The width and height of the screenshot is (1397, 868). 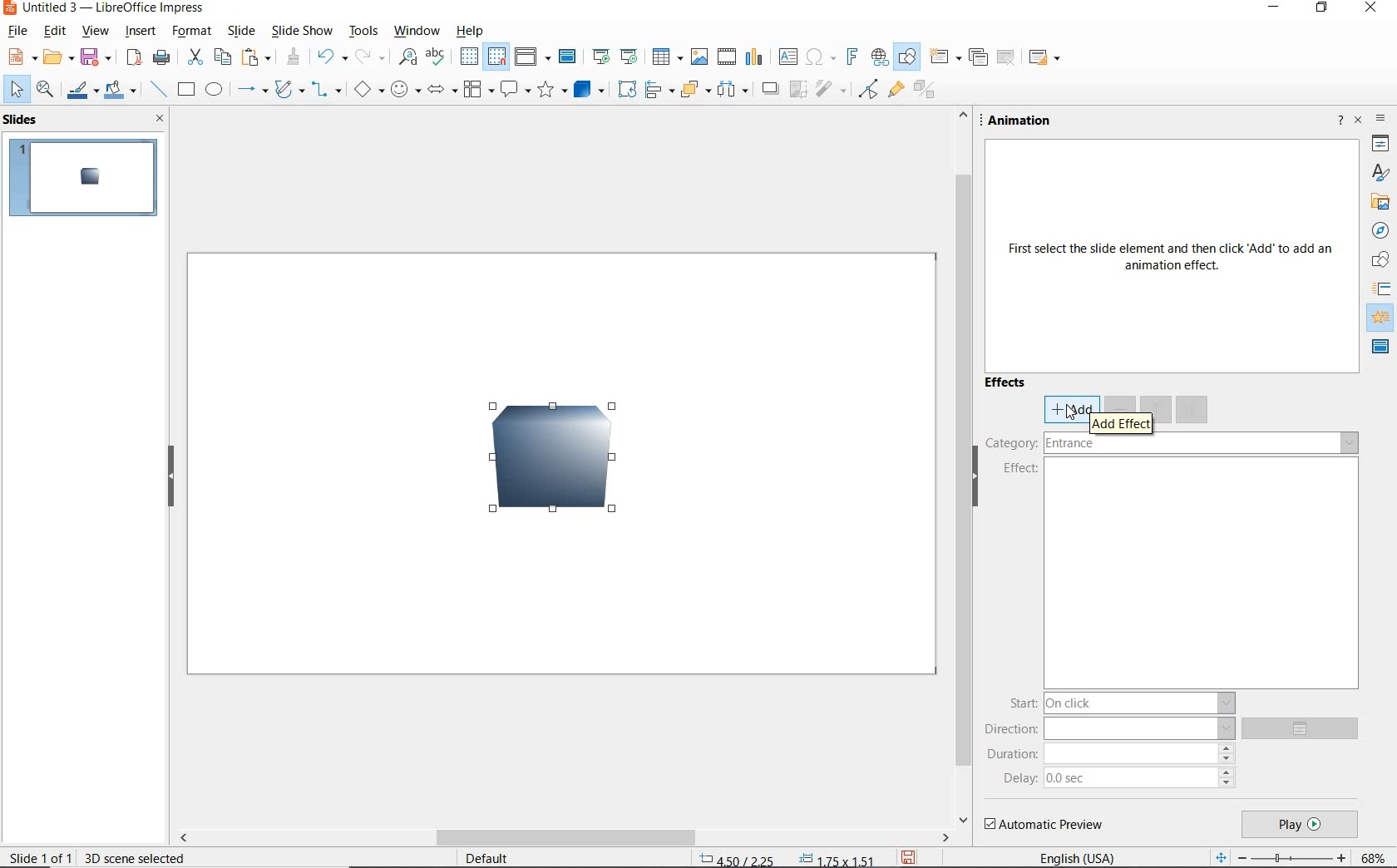 What do you see at coordinates (1007, 385) in the screenshot?
I see `effects` at bounding box center [1007, 385].